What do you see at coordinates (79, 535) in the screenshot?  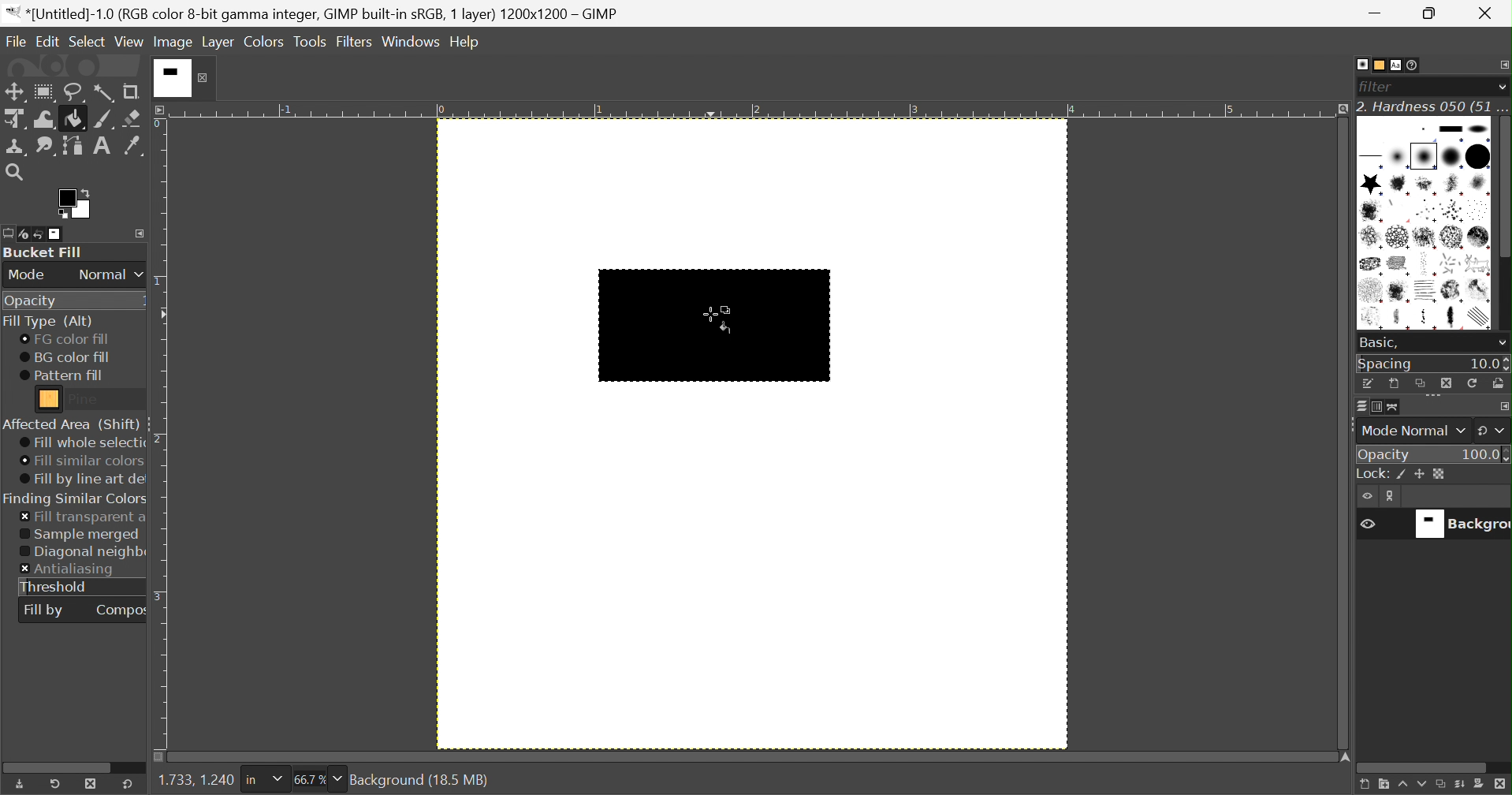 I see `Sample merged` at bounding box center [79, 535].